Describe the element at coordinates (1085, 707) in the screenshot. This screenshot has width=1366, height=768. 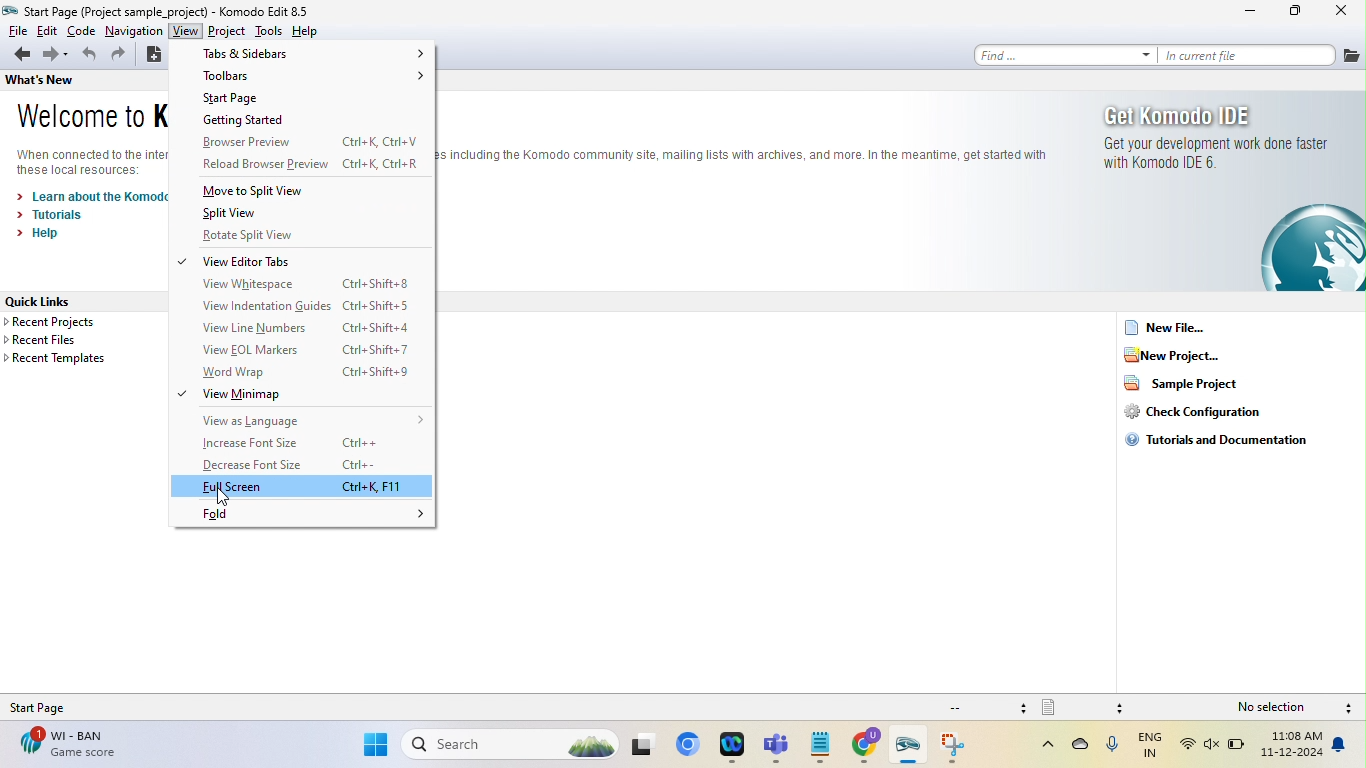
I see `file type` at that location.